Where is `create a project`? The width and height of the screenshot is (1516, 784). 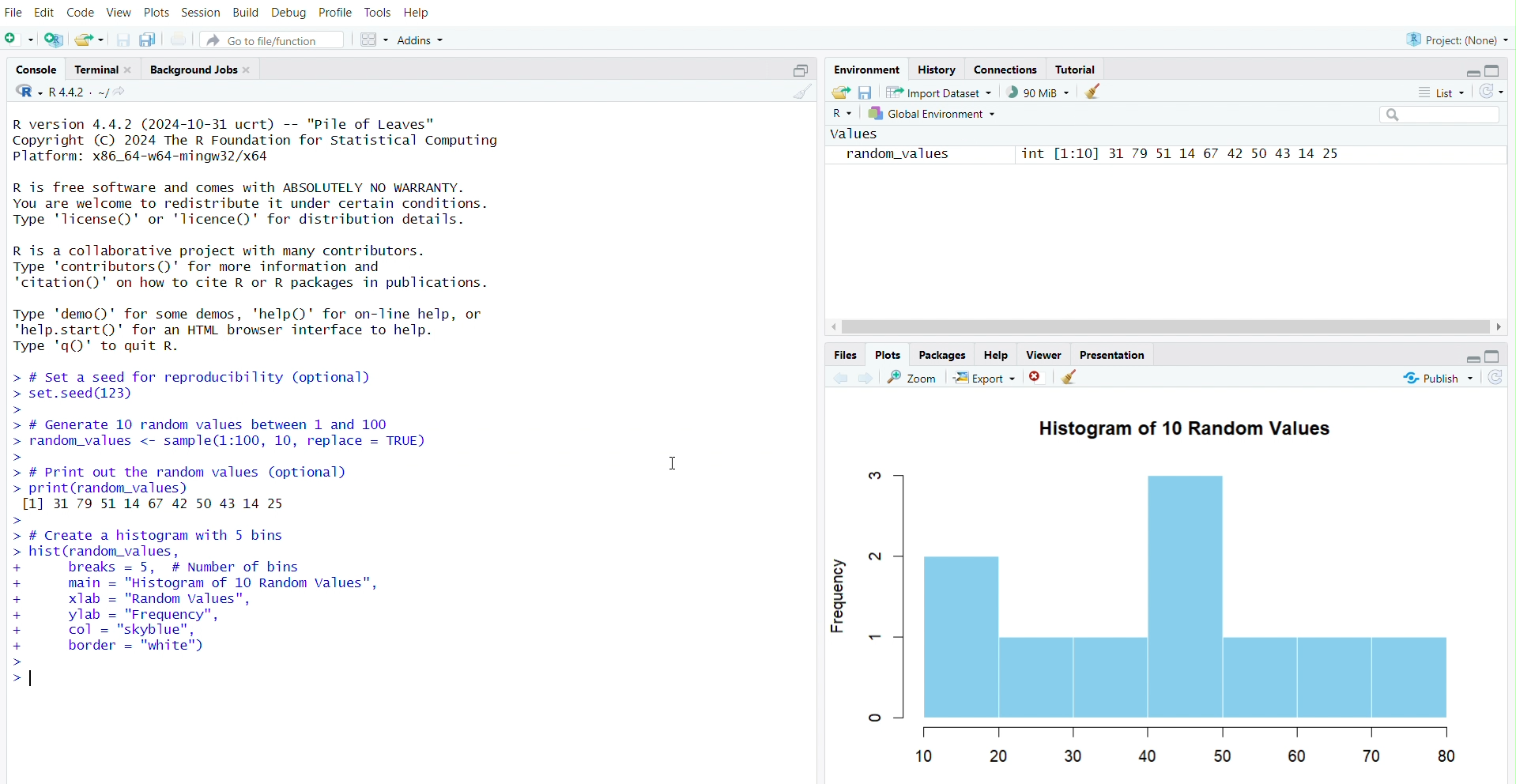
create a project is located at coordinates (54, 40).